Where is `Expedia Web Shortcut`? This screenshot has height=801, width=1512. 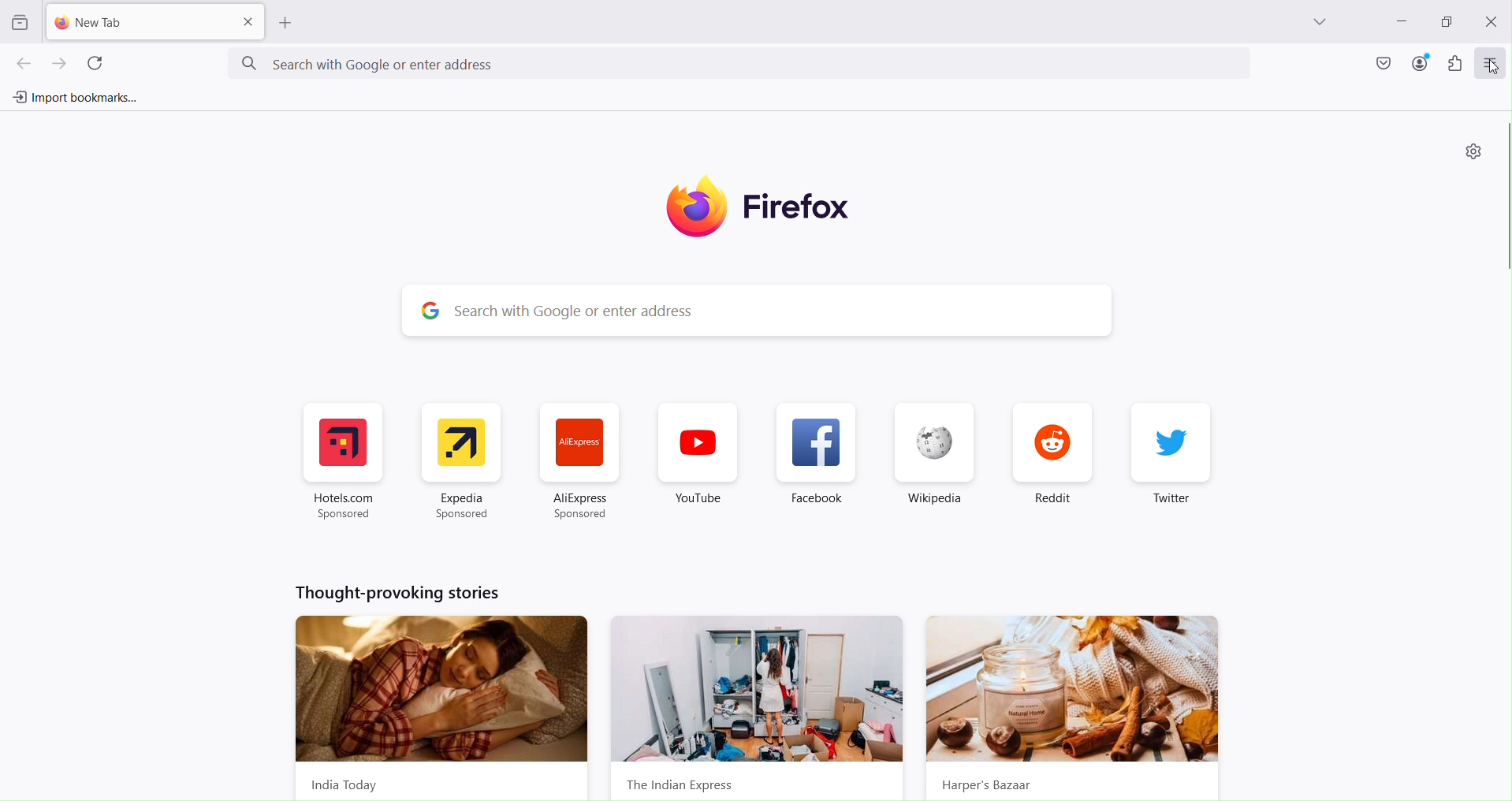 Expedia Web Shortcut is located at coordinates (459, 462).